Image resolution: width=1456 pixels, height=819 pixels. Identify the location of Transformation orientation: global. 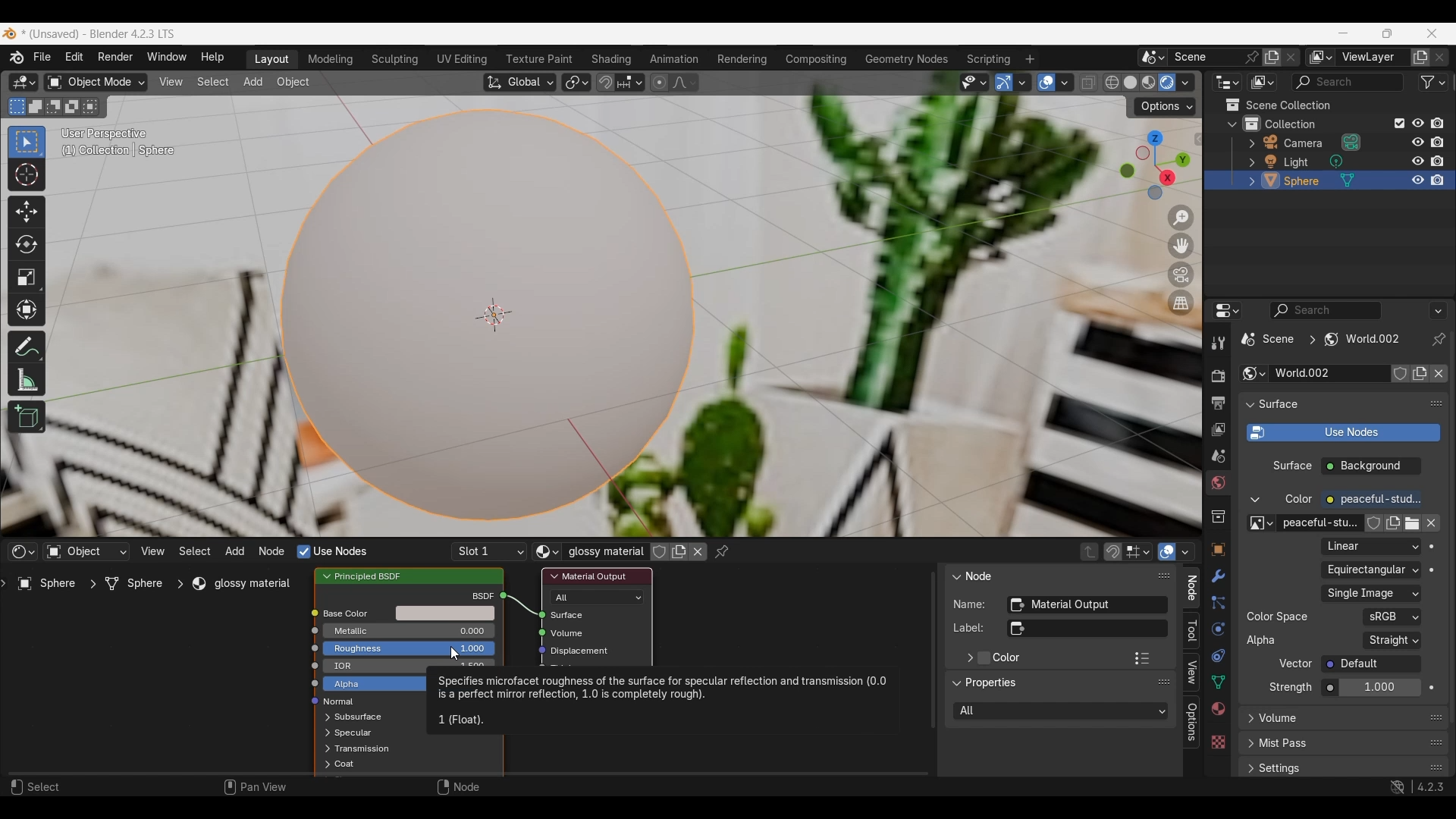
(519, 83).